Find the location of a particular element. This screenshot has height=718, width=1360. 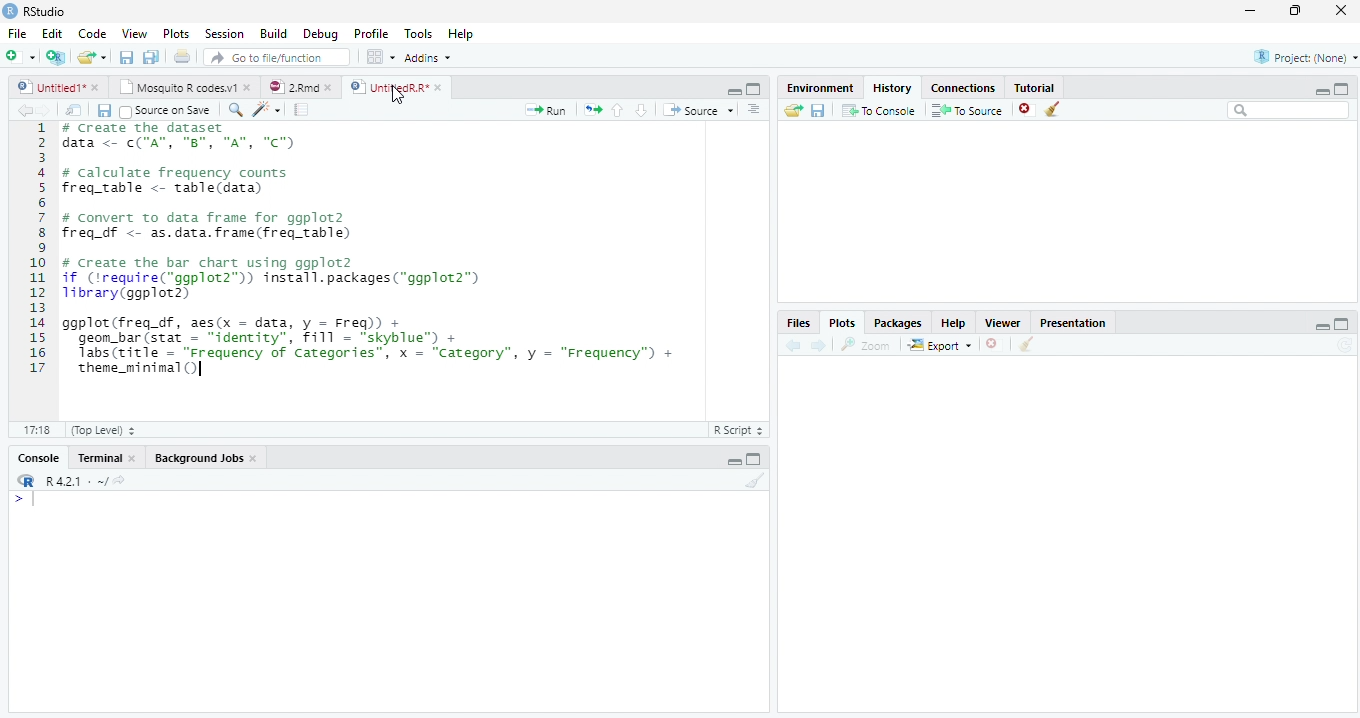

Maximize is located at coordinates (1343, 88).